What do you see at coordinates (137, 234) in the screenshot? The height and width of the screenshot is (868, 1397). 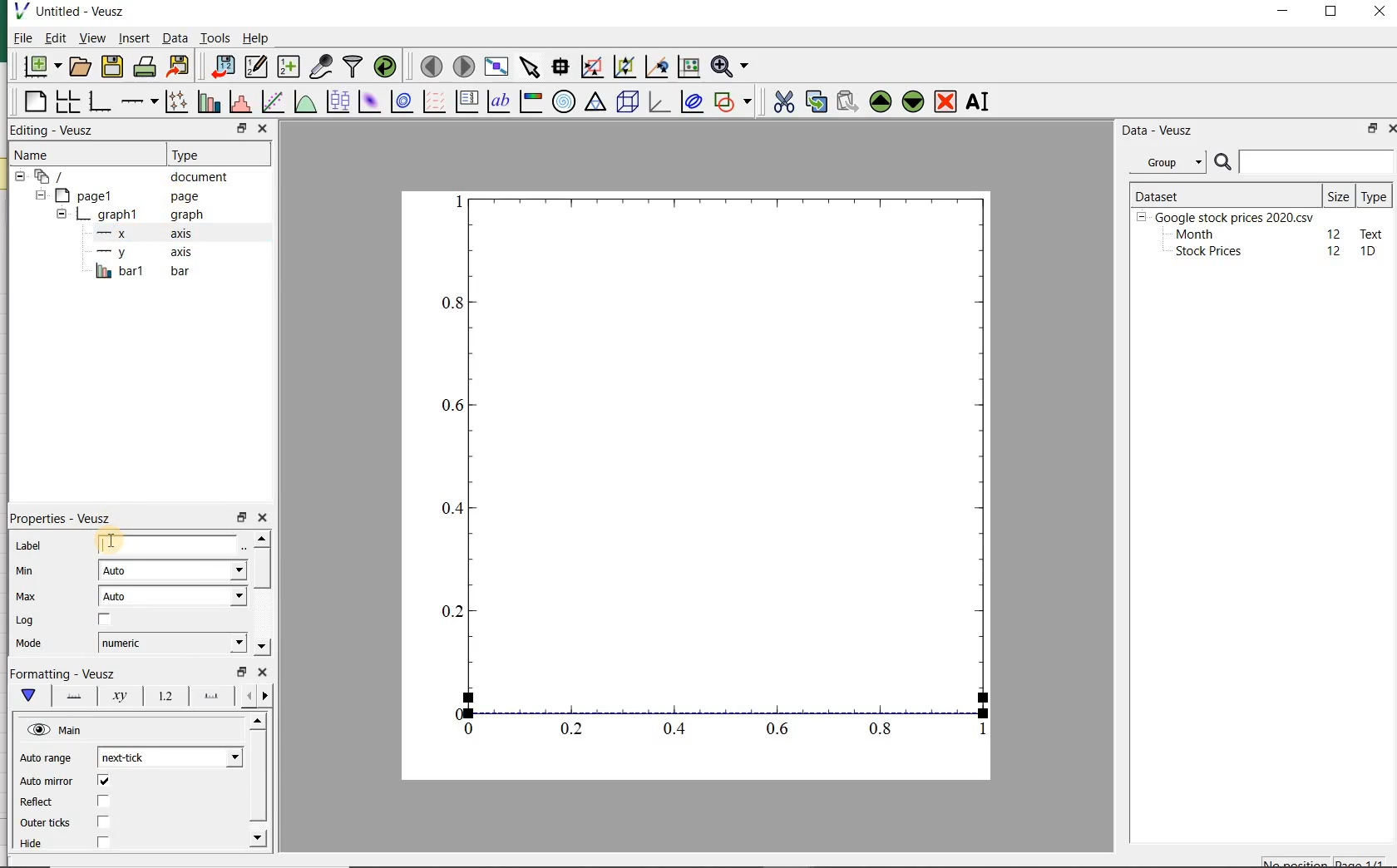 I see `x axis` at bounding box center [137, 234].